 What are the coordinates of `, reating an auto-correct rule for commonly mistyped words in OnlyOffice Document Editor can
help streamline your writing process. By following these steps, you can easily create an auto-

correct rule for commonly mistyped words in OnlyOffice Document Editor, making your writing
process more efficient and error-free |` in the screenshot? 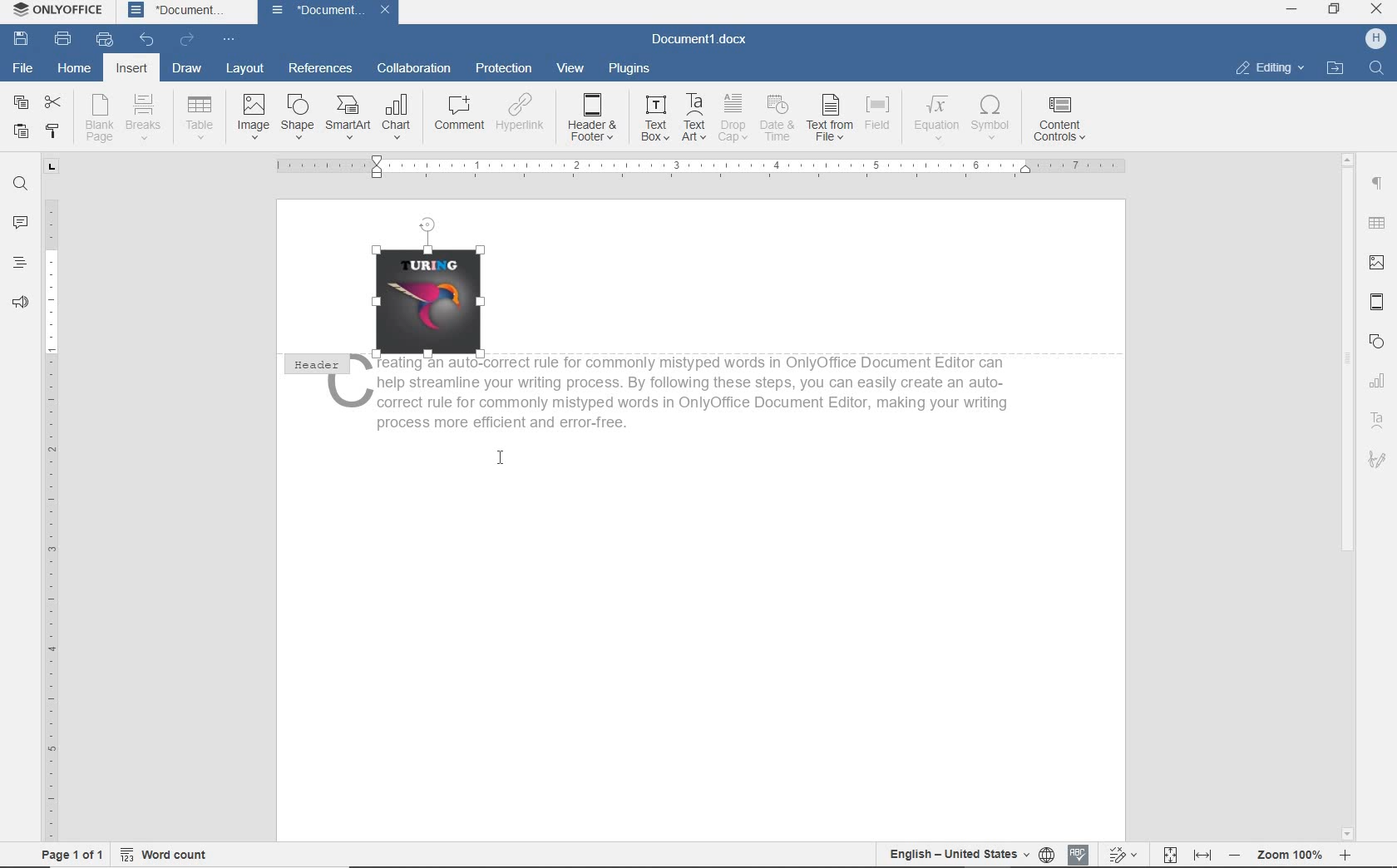 It's located at (684, 406).